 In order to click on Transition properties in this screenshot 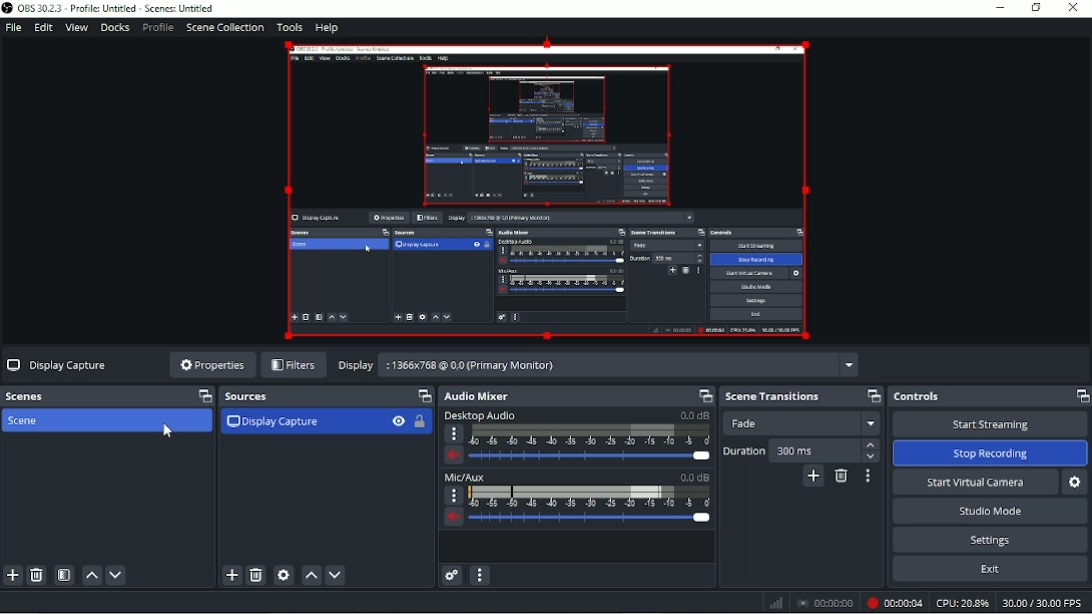, I will do `click(868, 476)`.